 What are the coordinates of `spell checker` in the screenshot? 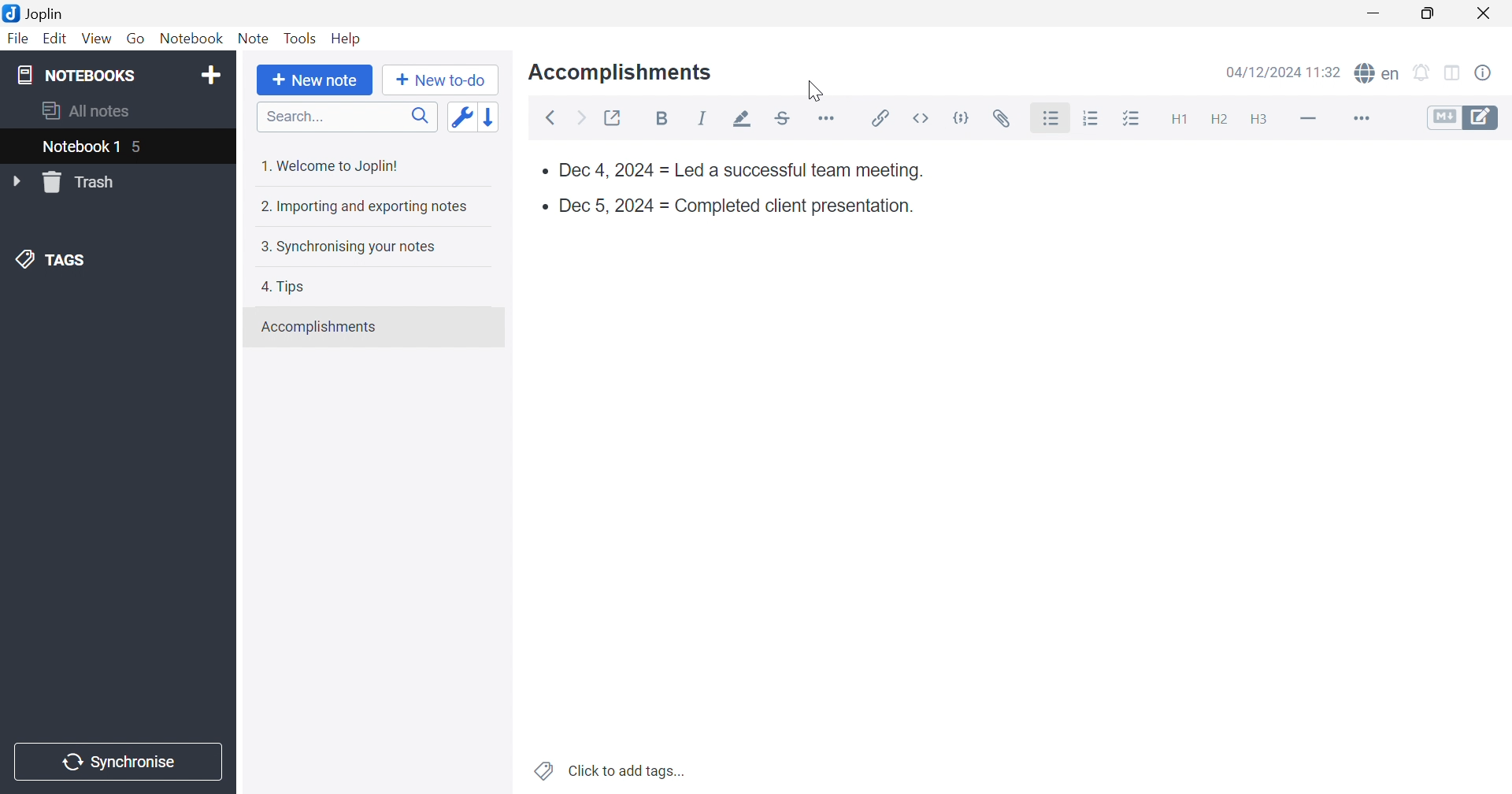 It's located at (1377, 74).